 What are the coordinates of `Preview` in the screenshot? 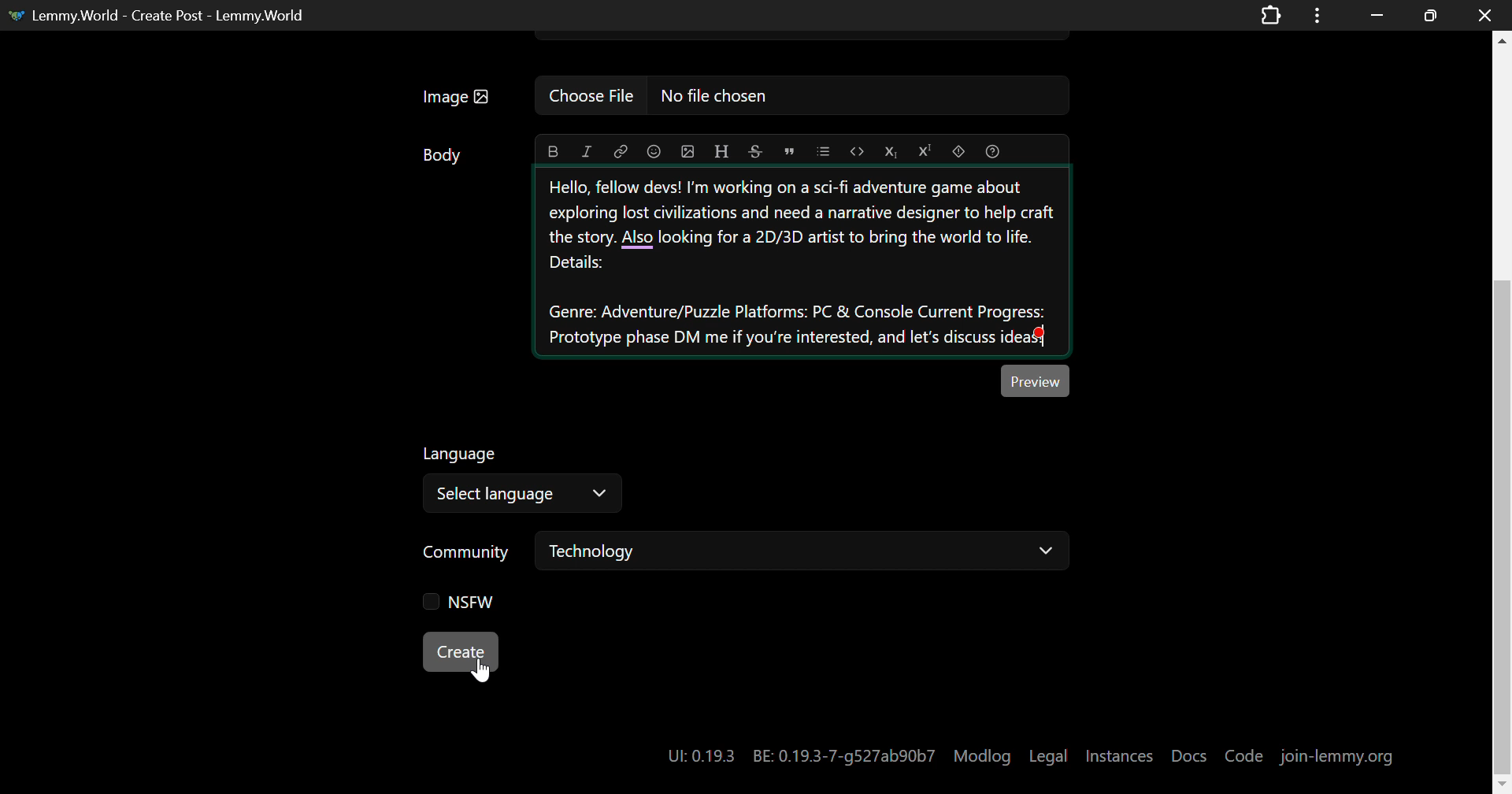 It's located at (1036, 380).